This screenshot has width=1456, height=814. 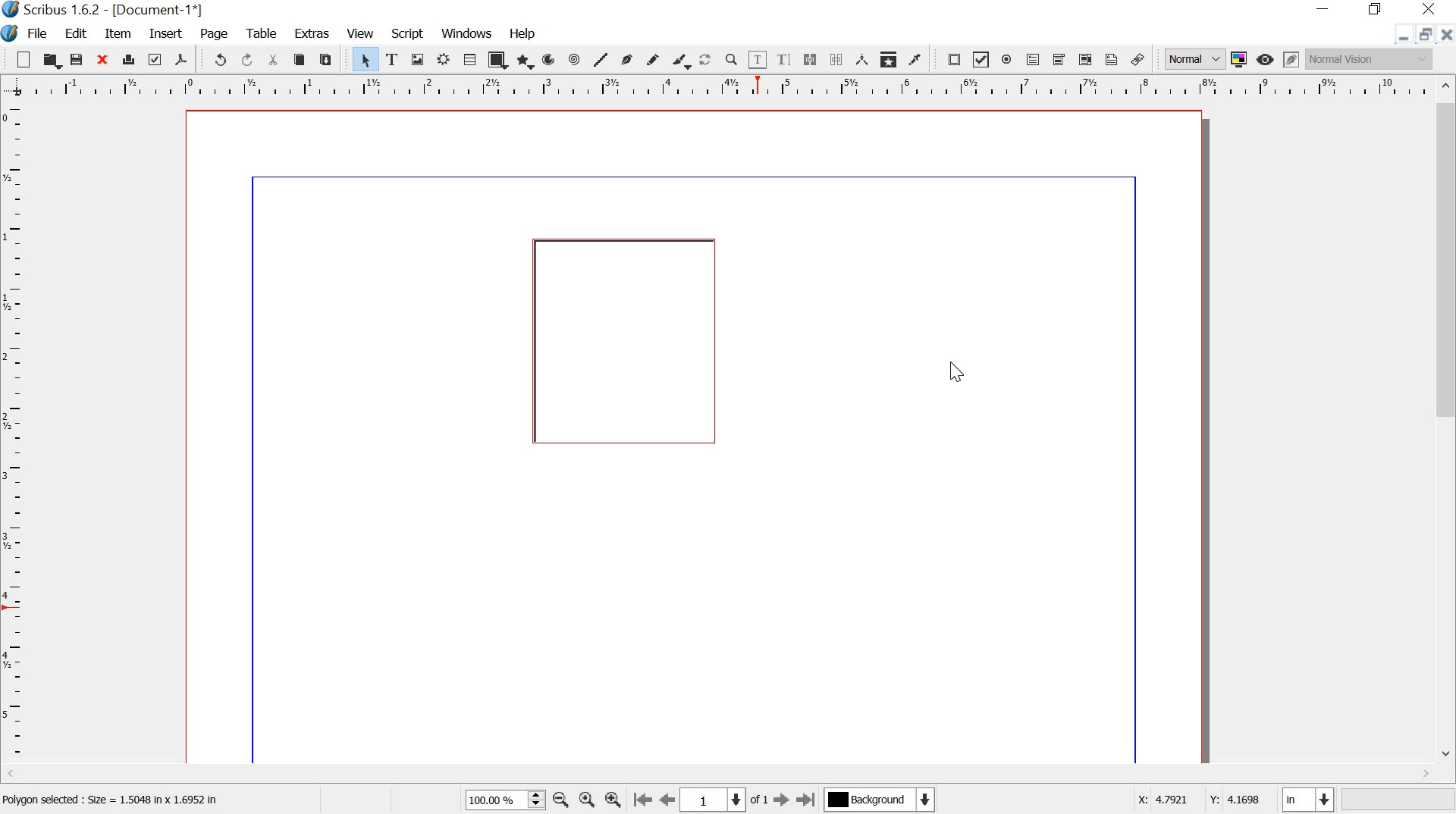 What do you see at coordinates (614, 798) in the screenshot?
I see `zoom in` at bounding box center [614, 798].